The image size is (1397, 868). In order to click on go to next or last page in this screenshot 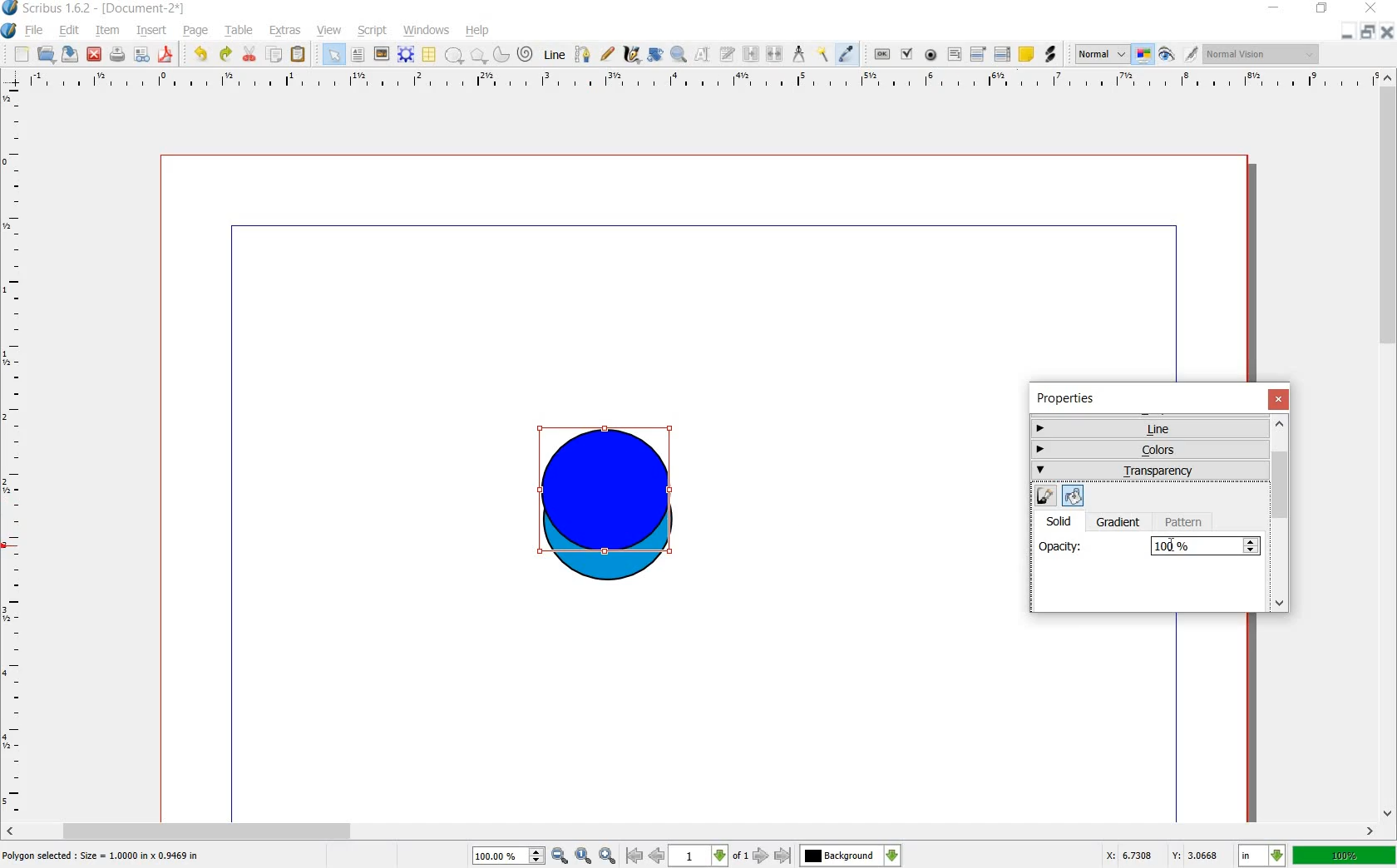, I will do `click(773, 856)`.